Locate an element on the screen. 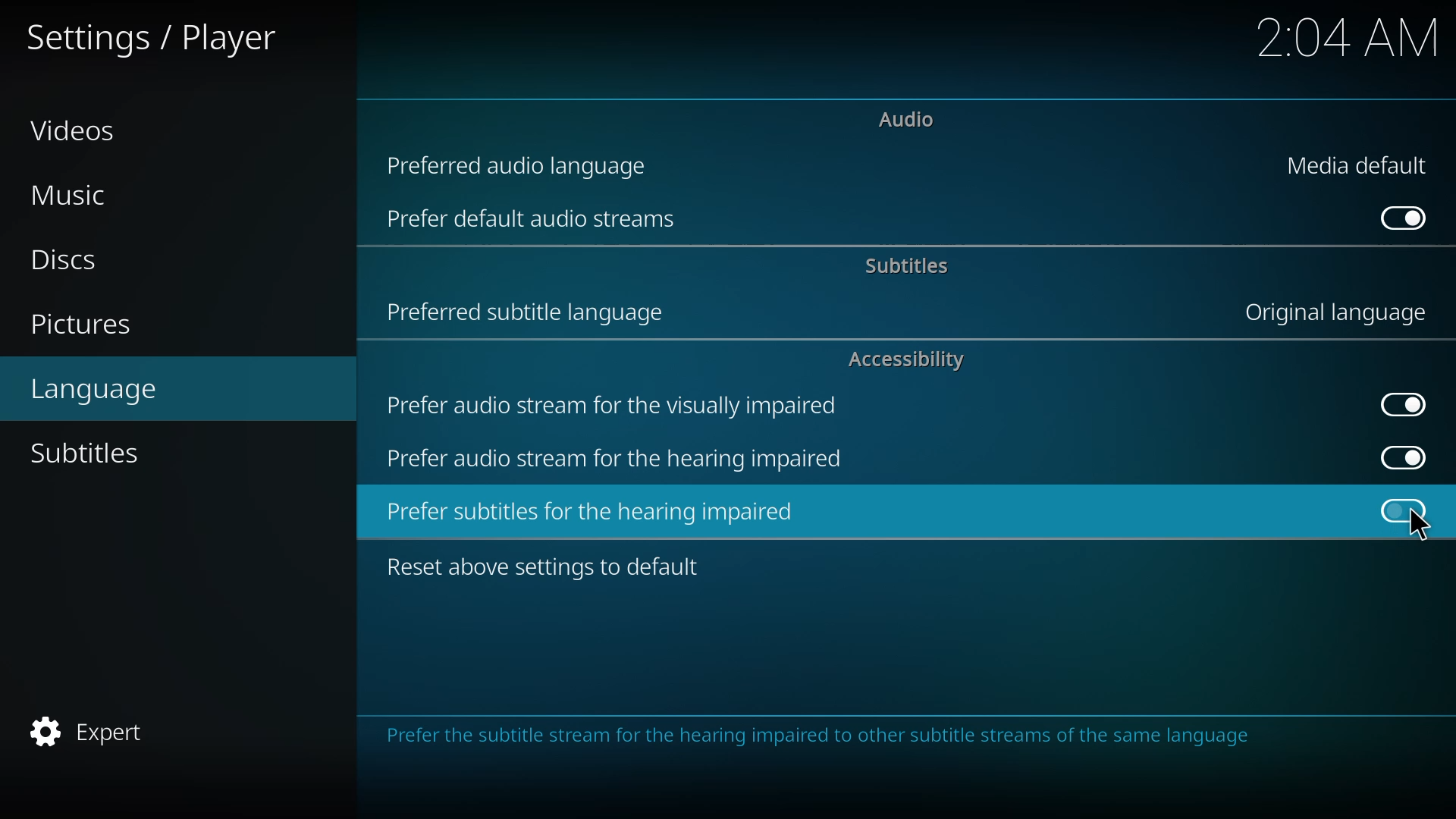 The width and height of the screenshot is (1456, 819). enabled is located at coordinates (1401, 405).